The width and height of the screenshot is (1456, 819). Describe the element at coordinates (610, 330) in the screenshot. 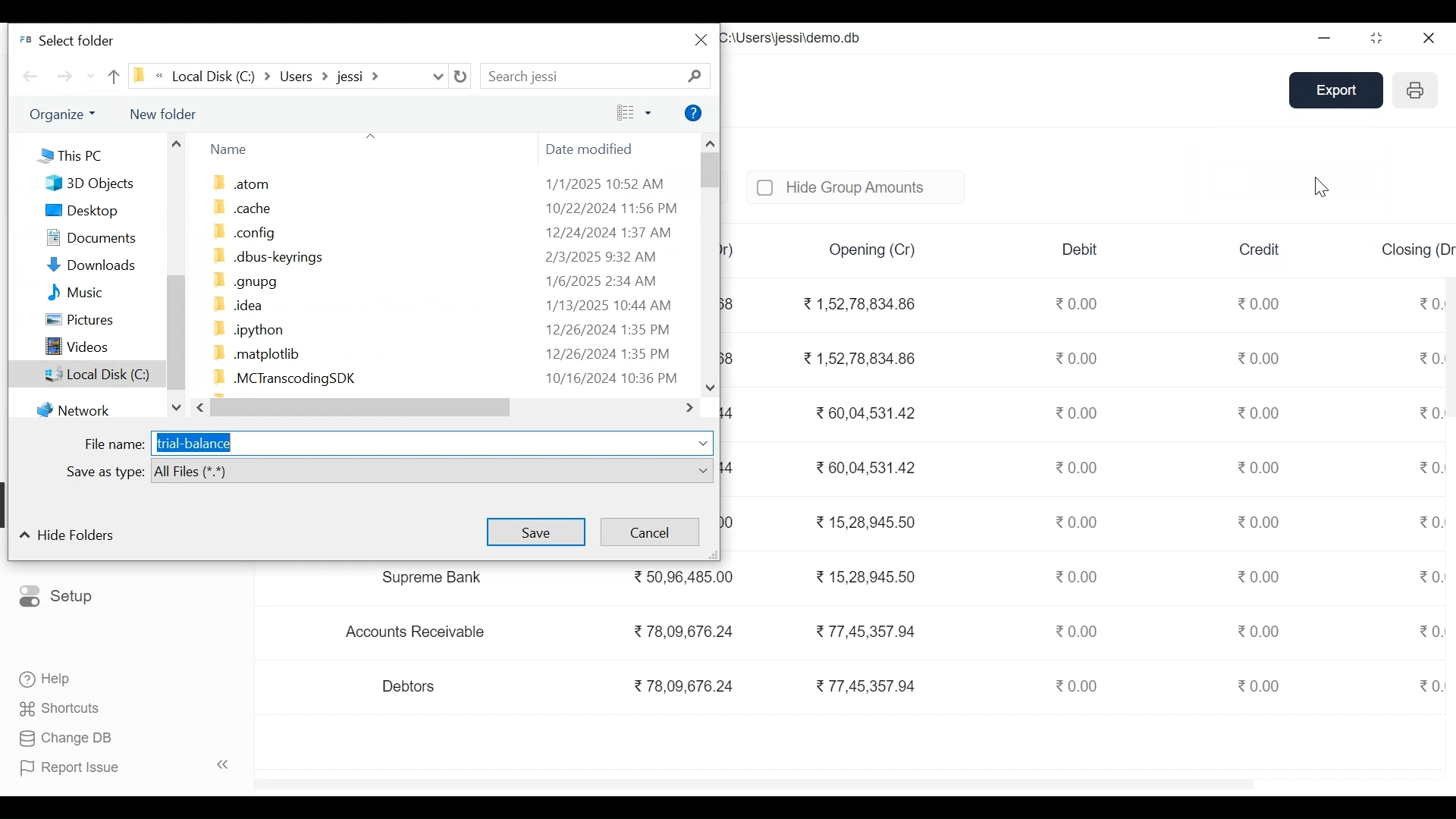

I see `12/26/2024 1:35 PM` at that location.